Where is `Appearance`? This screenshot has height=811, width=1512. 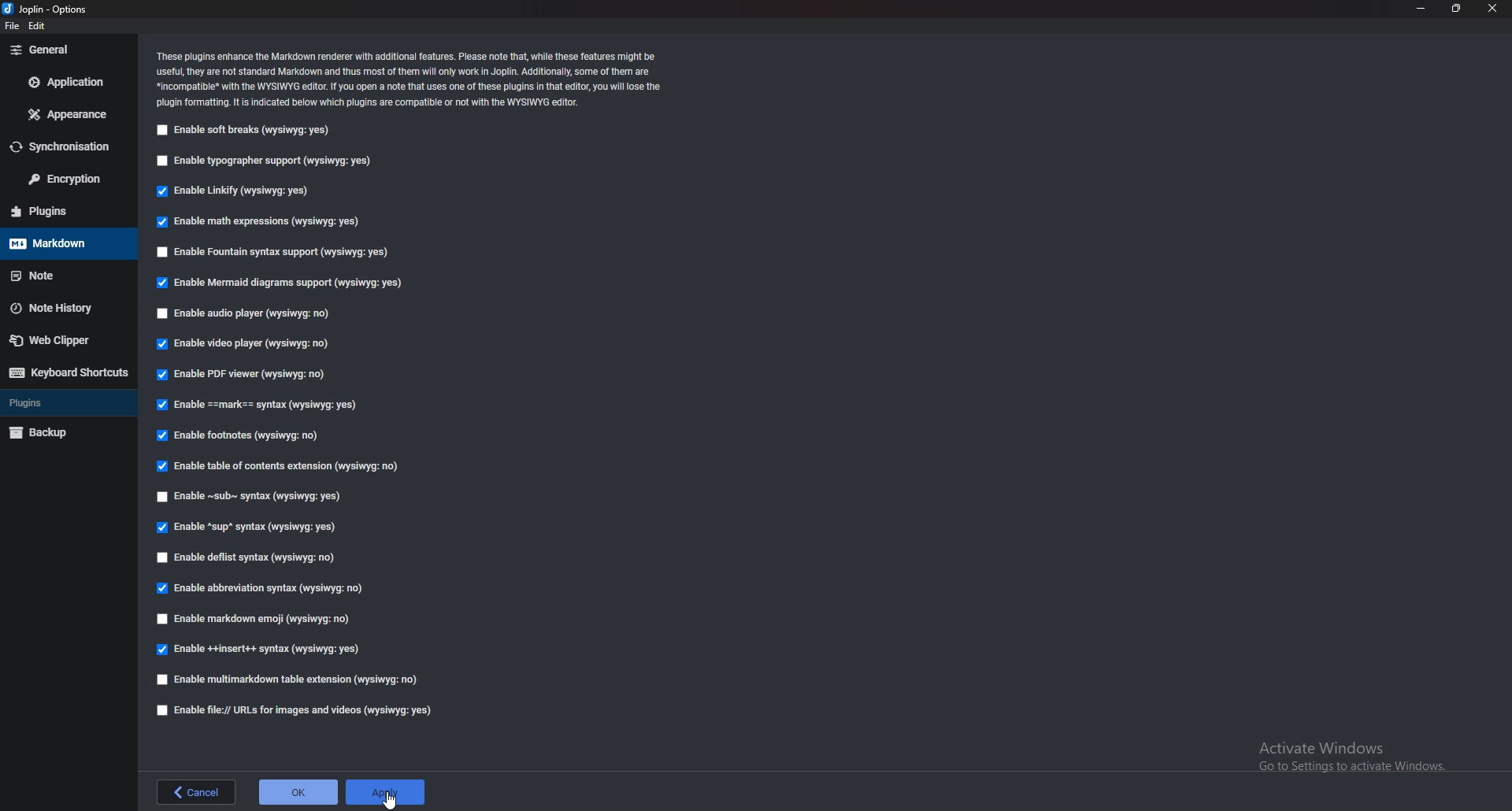 Appearance is located at coordinates (69, 116).